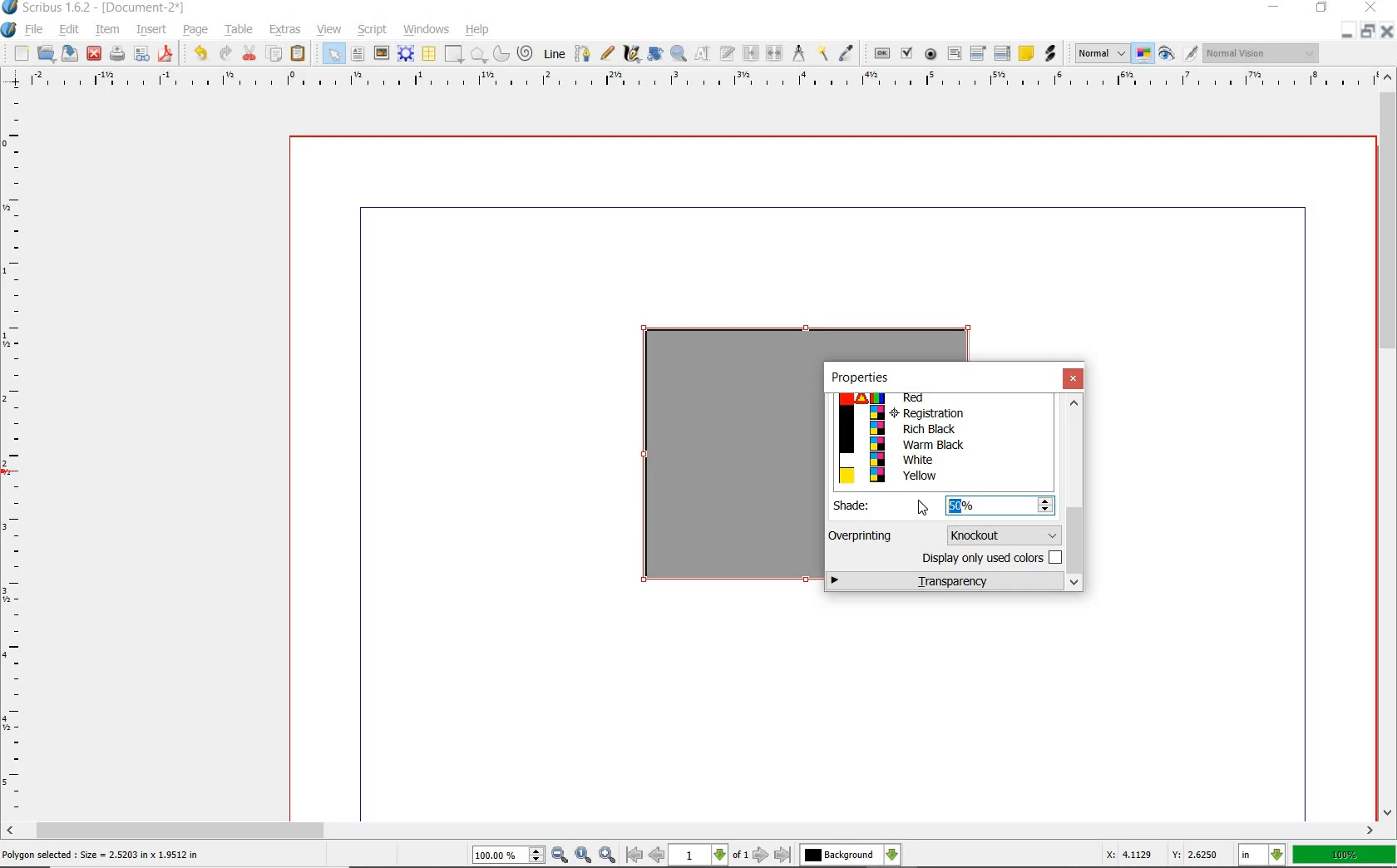  I want to click on CLOSE, so click(1372, 9).